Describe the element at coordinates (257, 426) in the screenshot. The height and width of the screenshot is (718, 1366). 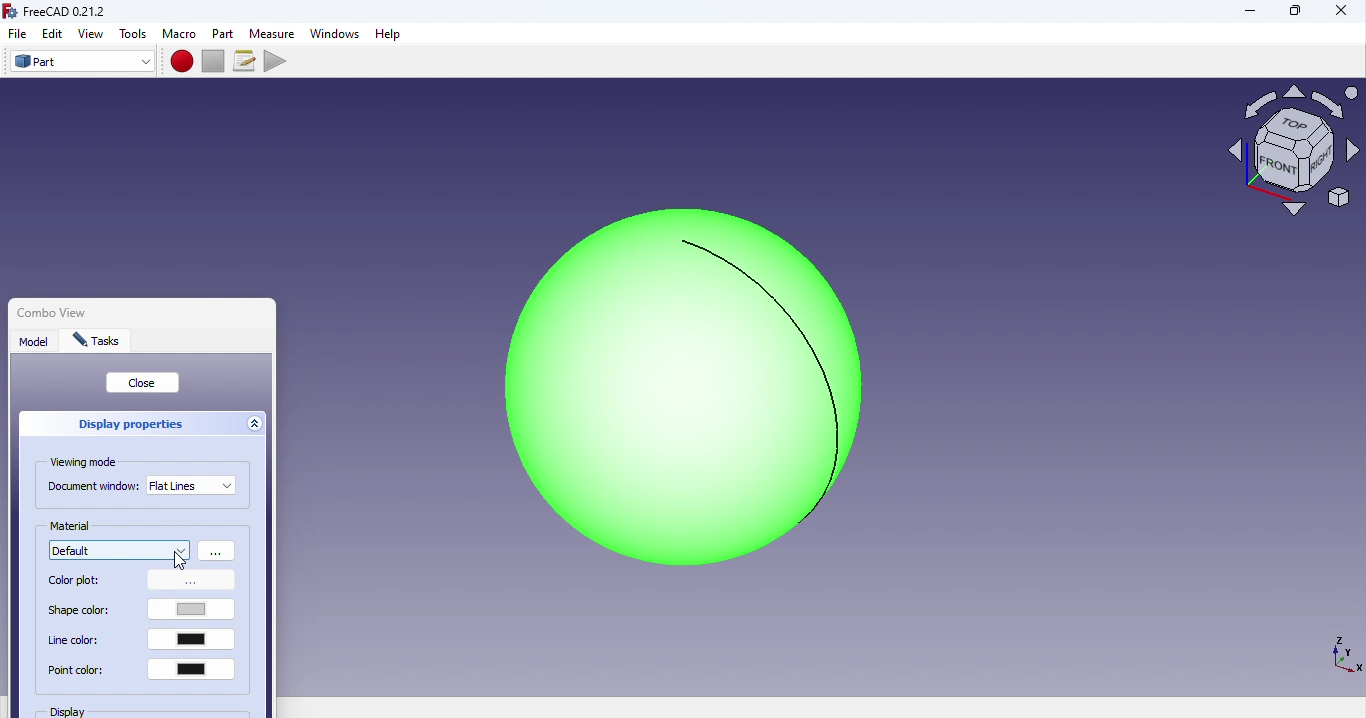
I see `Hide properties` at that location.